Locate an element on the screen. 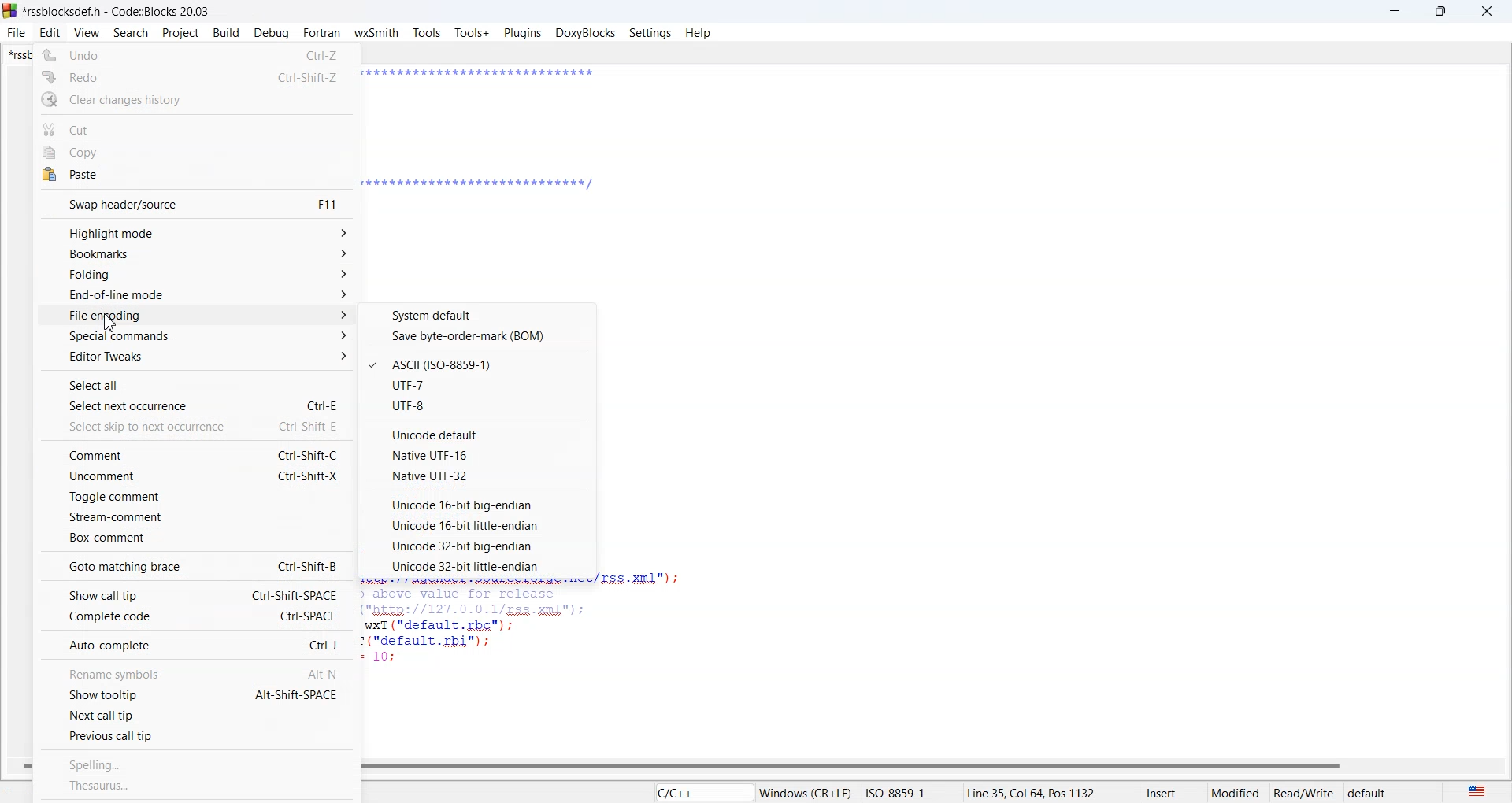 This screenshot has width=1512, height=803. System default is located at coordinates (480, 314).